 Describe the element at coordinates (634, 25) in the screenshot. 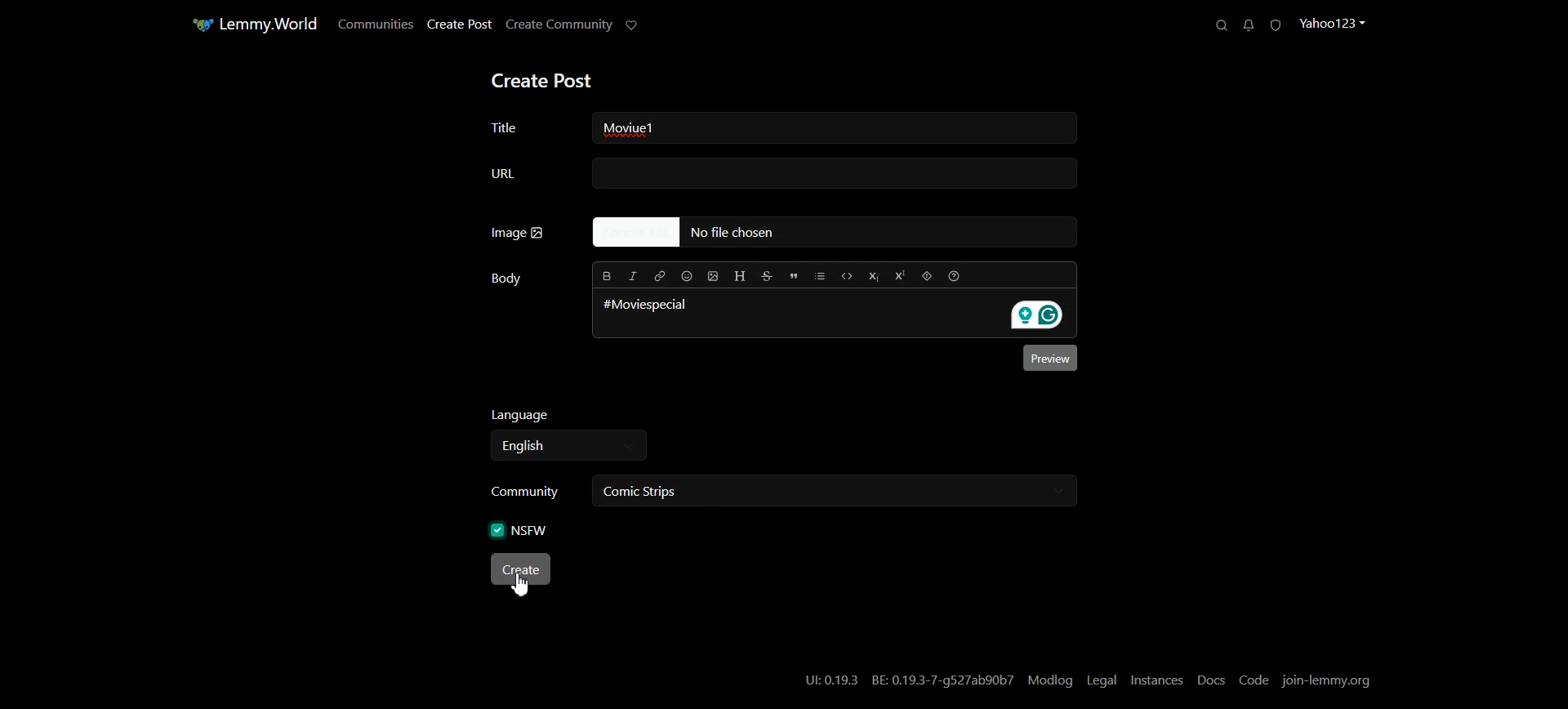

I see `Support Limmy` at that location.